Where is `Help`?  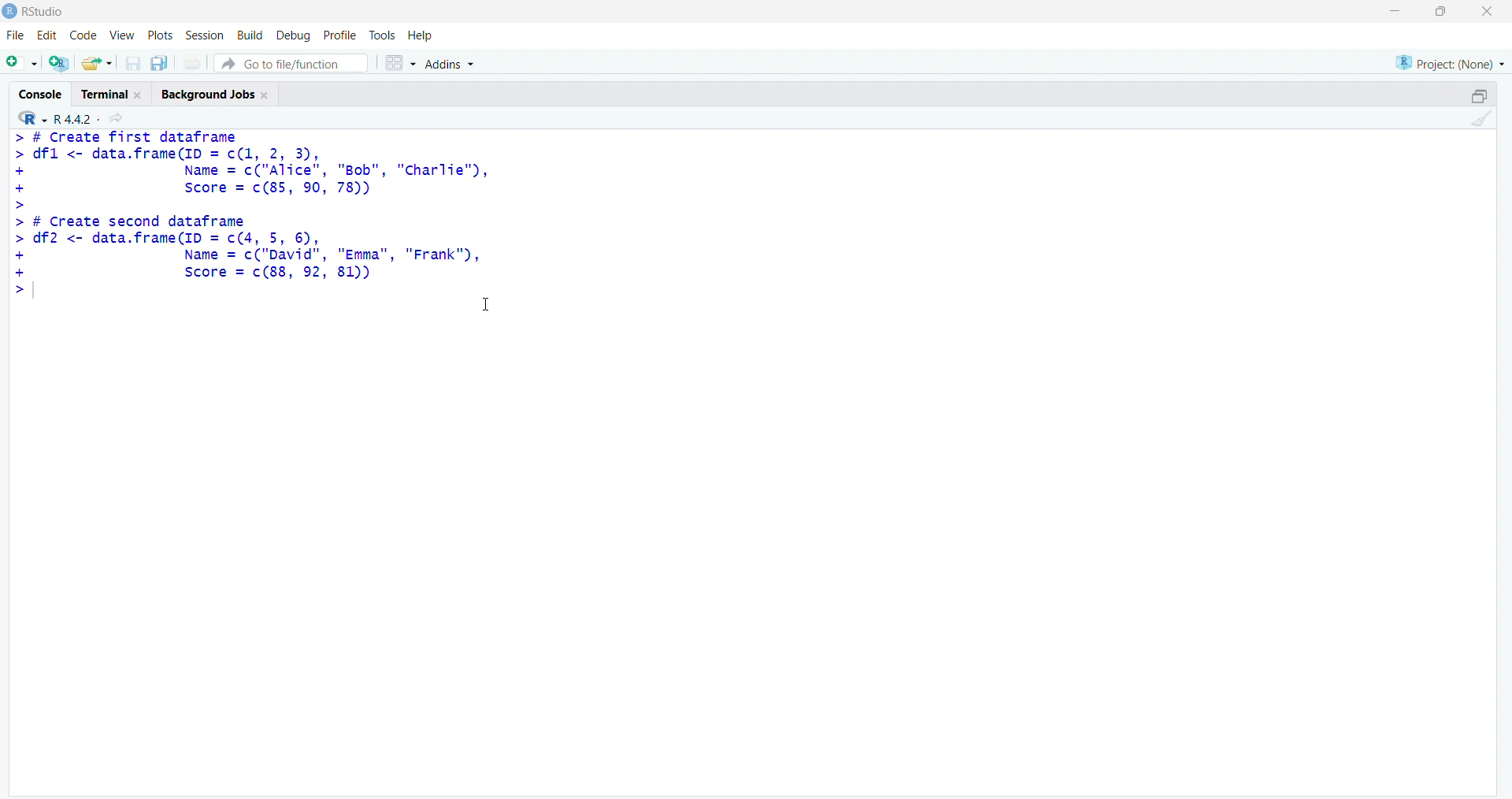
Help is located at coordinates (421, 35).